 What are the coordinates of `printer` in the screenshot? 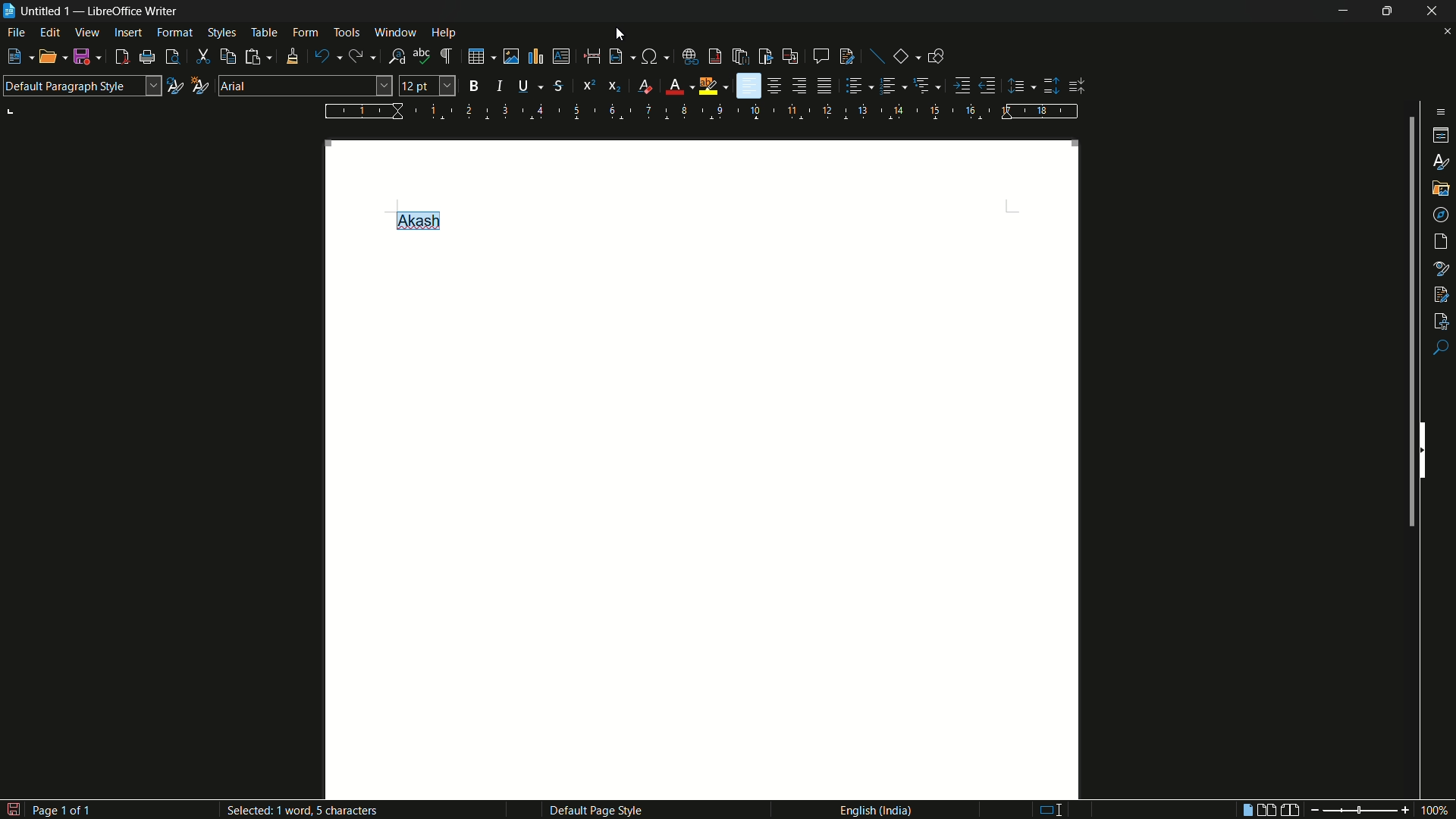 It's located at (148, 58).